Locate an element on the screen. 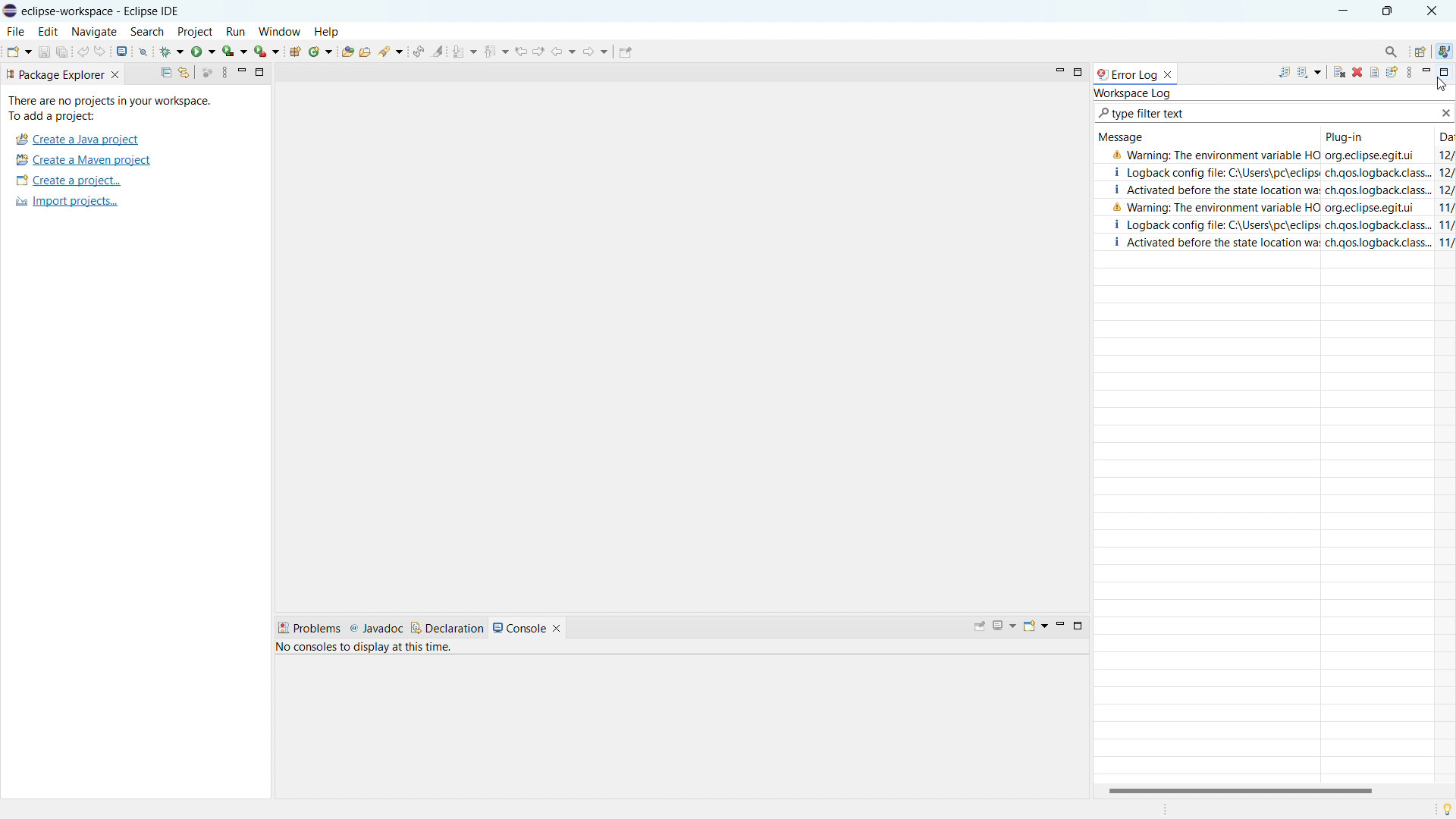 The width and height of the screenshot is (1456, 819). macimize is located at coordinates (263, 74).